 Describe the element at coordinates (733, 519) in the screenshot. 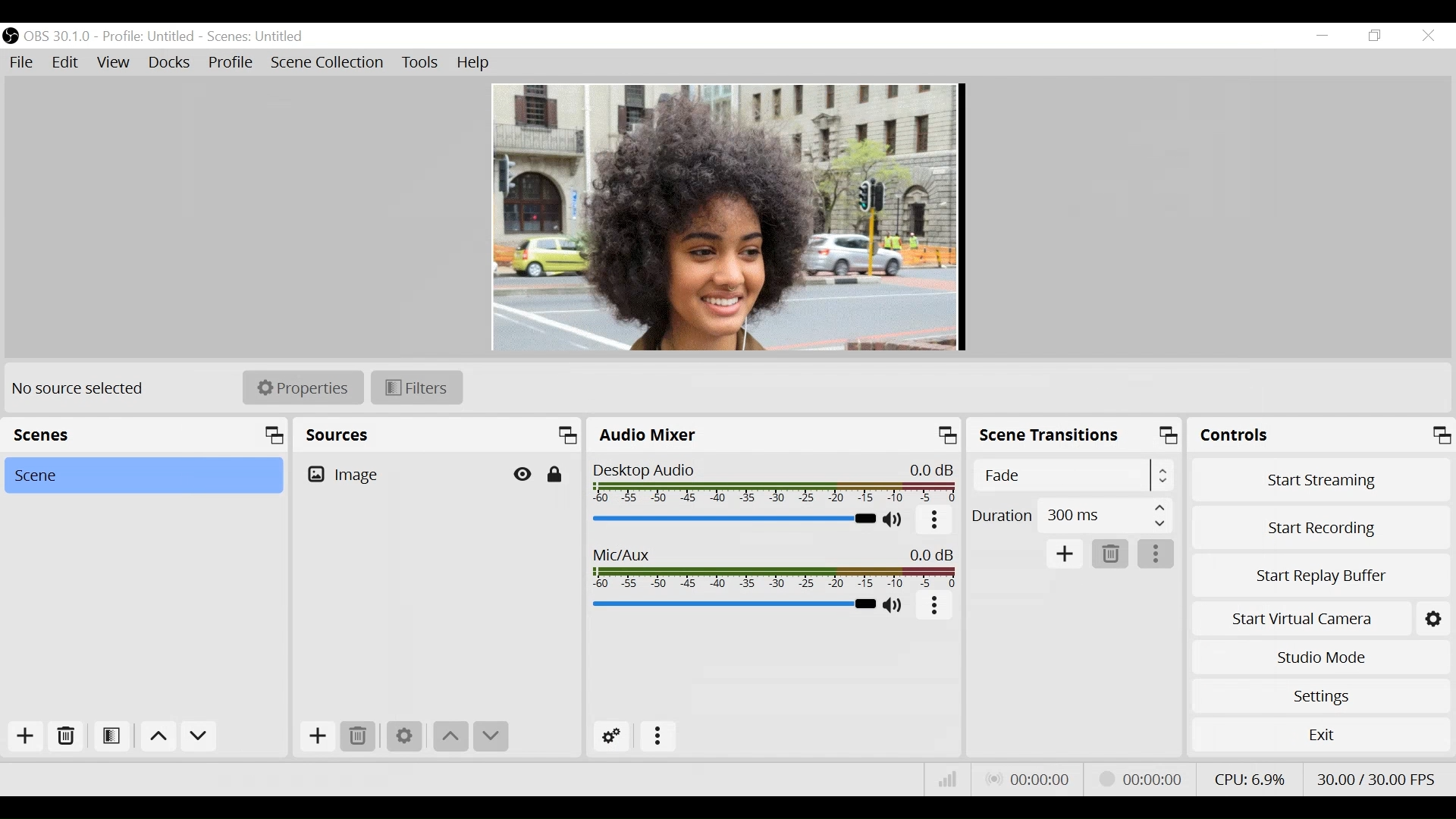

I see `Desktop Audio Slider` at that location.